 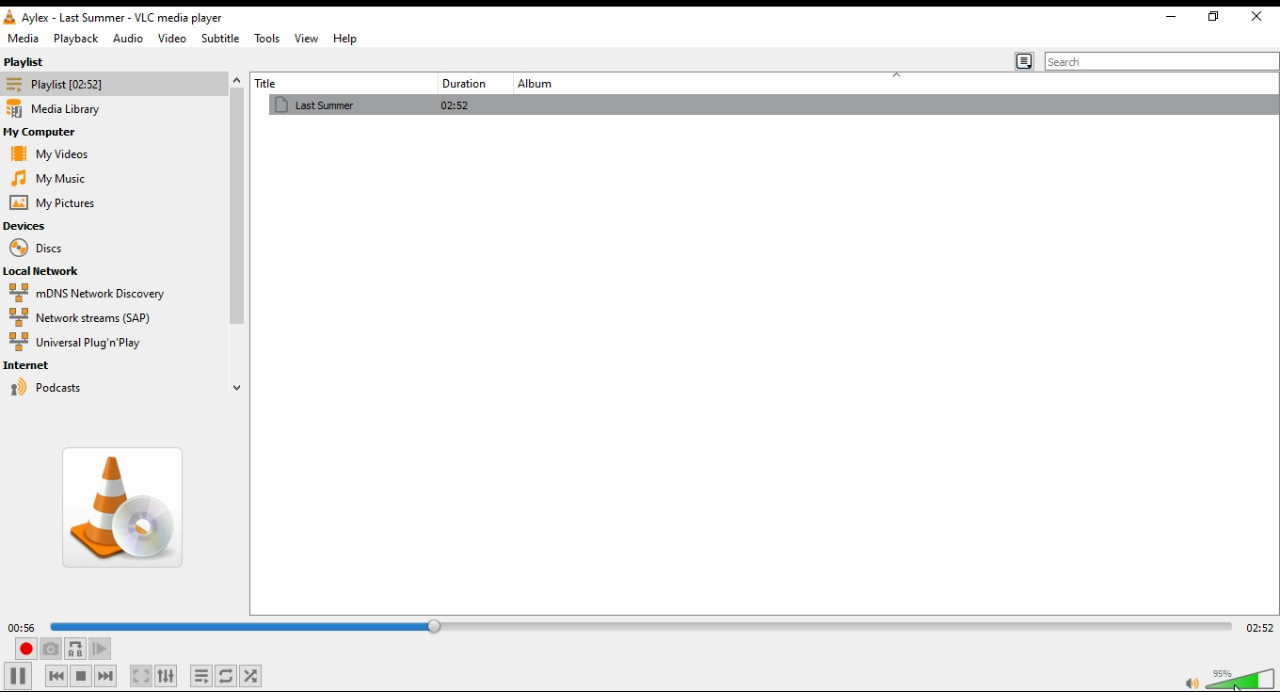 I want to click on my computer, so click(x=43, y=131).